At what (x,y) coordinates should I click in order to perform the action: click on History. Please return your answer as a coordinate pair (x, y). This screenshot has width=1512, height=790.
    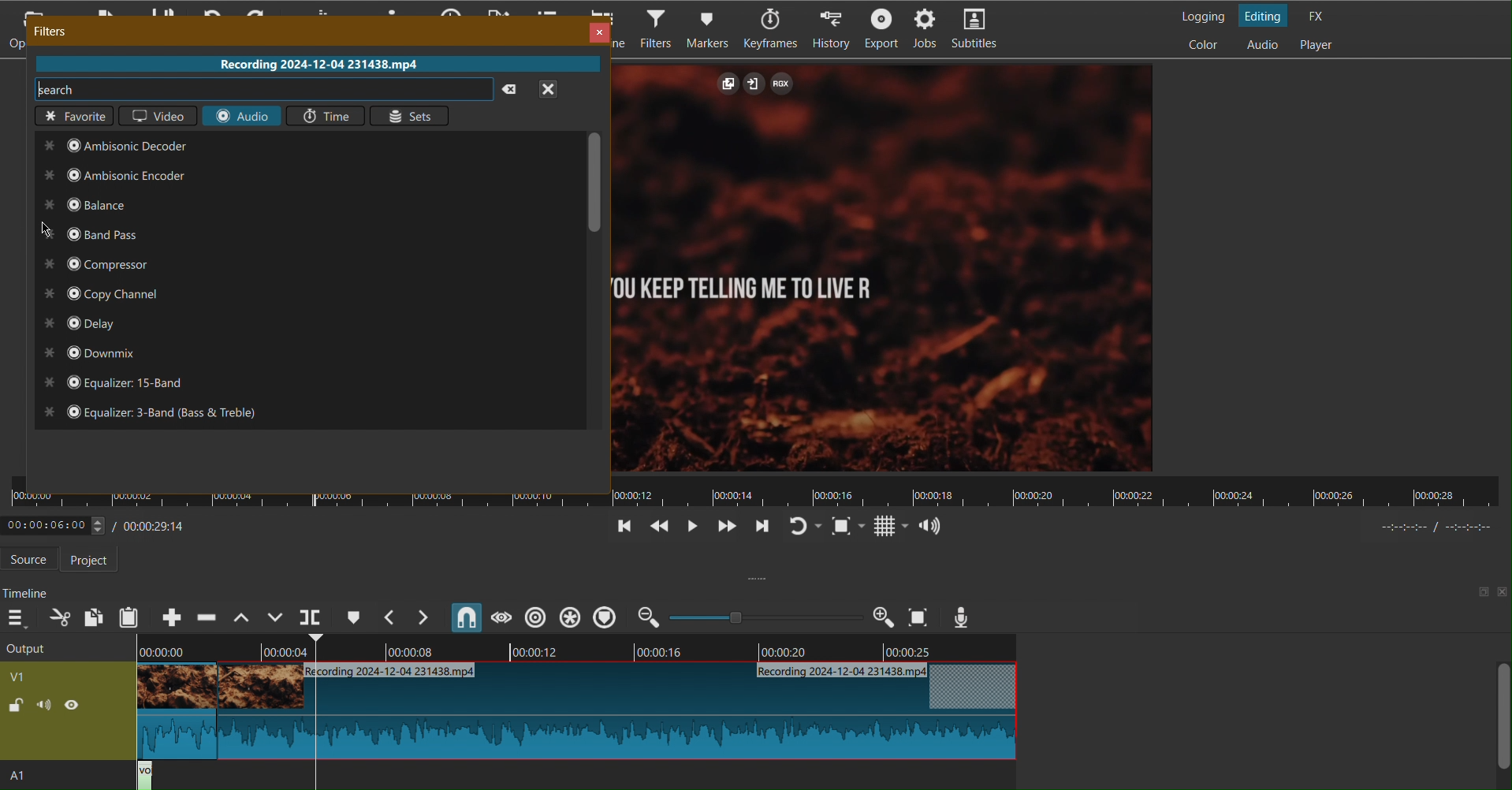
    Looking at the image, I should click on (832, 28).